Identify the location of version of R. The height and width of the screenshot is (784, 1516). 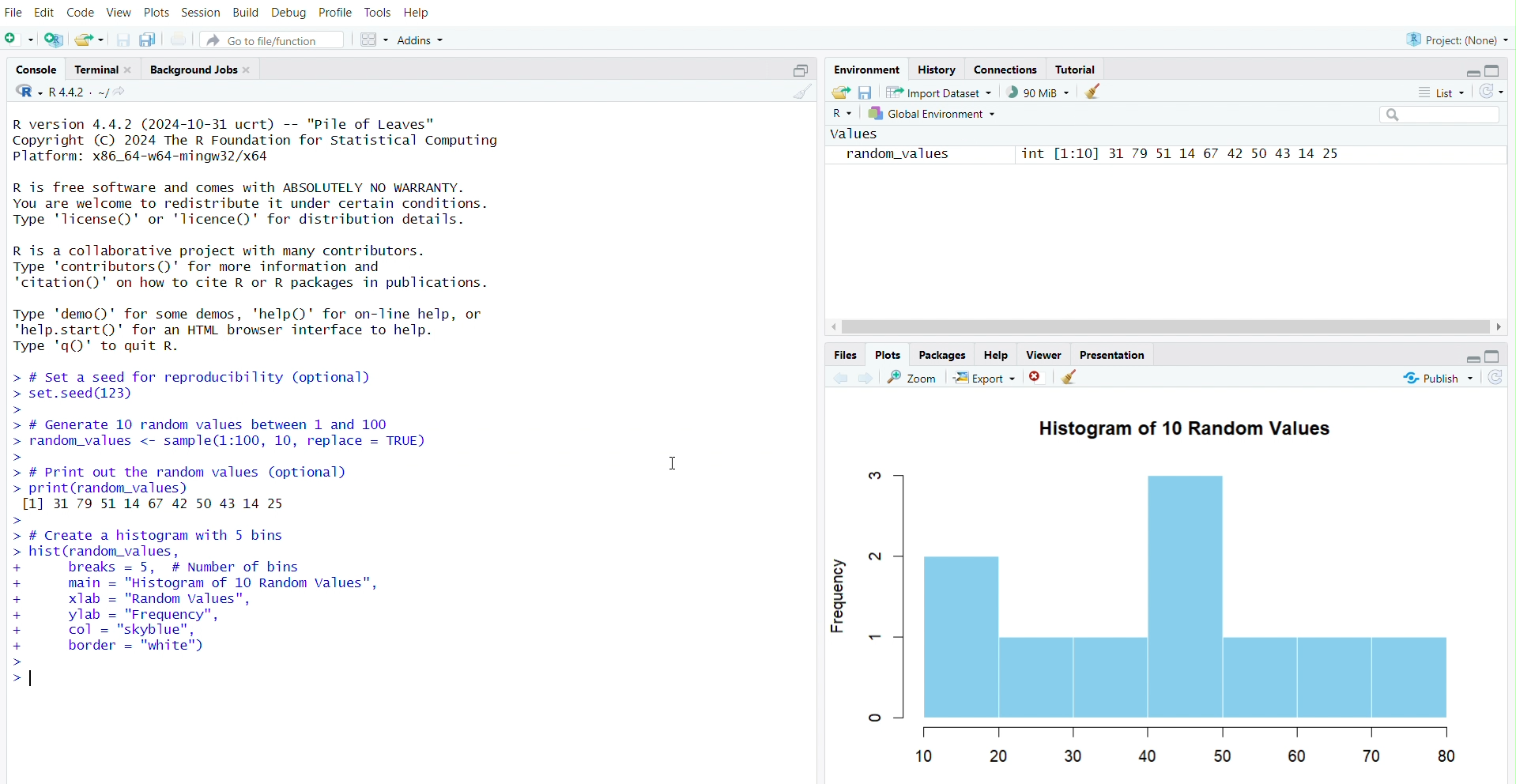
(289, 138).